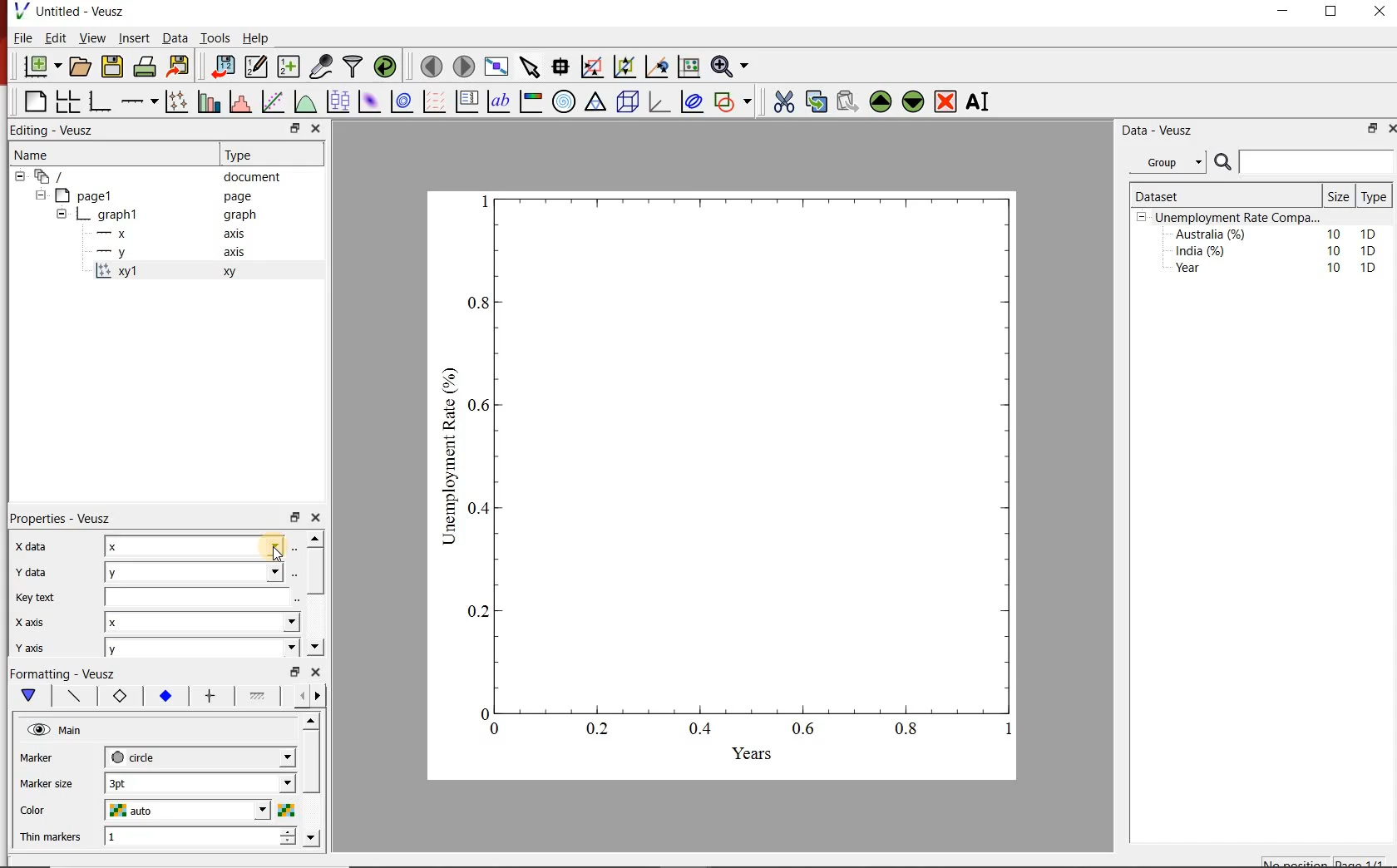 This screenshot has height=868, width=1397. I want to click on move right, so click(317, 696).